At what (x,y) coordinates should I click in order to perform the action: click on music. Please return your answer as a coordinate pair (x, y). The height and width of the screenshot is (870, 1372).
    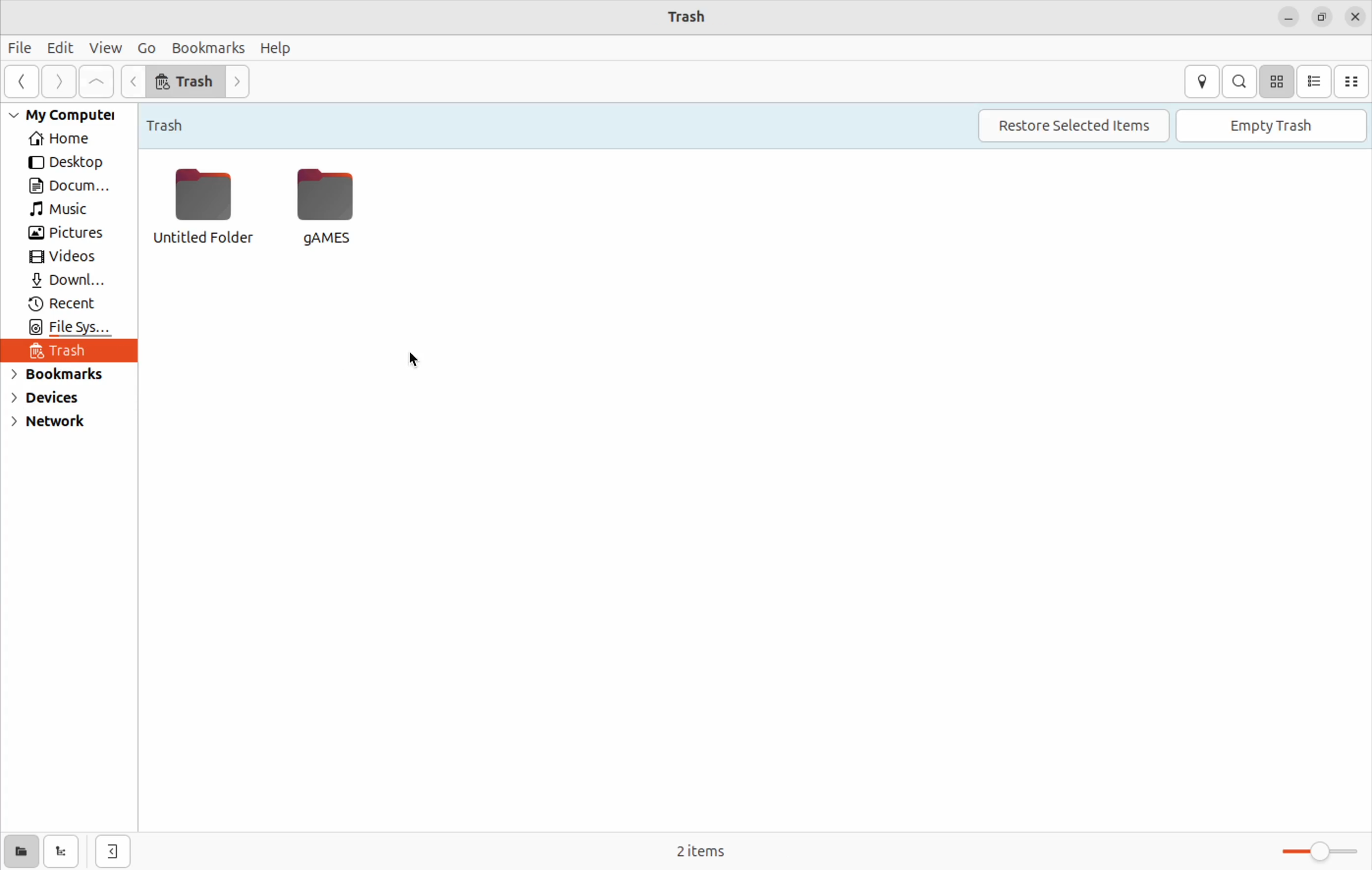
    Looking at the image, I should click on (66, 211).